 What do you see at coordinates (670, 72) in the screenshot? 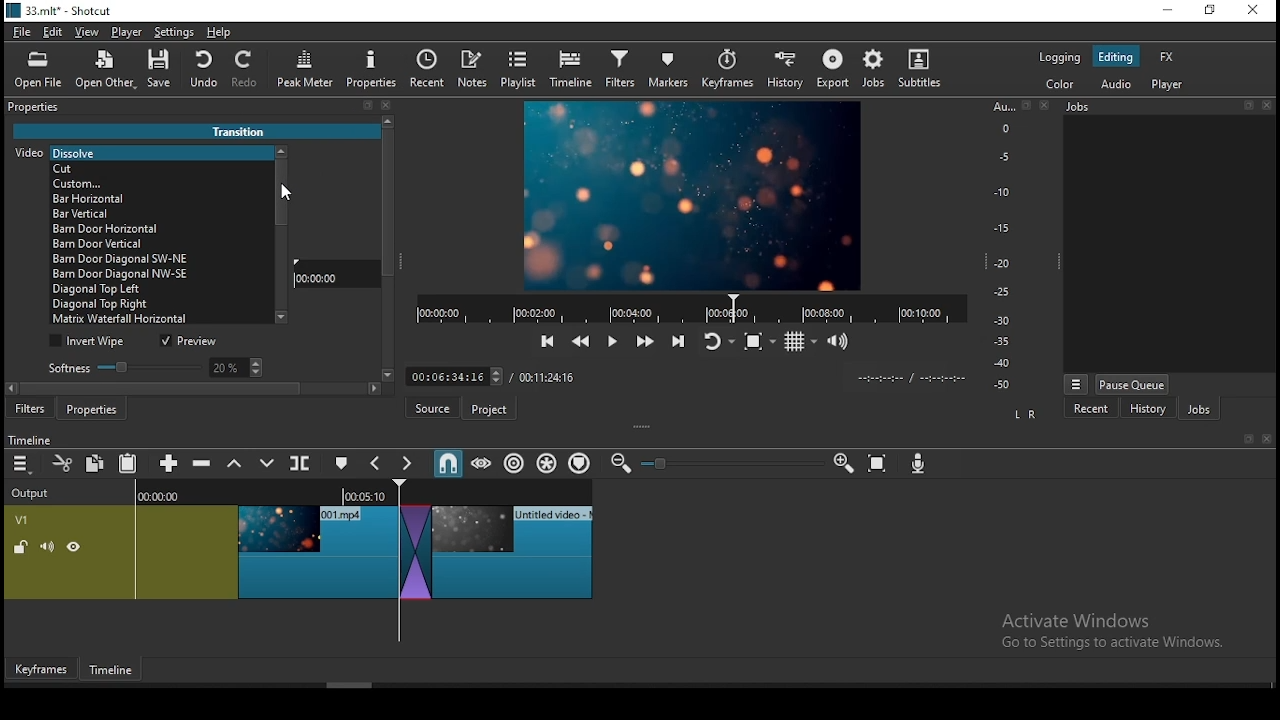
I see `markers` at bounding box center [670, 72].